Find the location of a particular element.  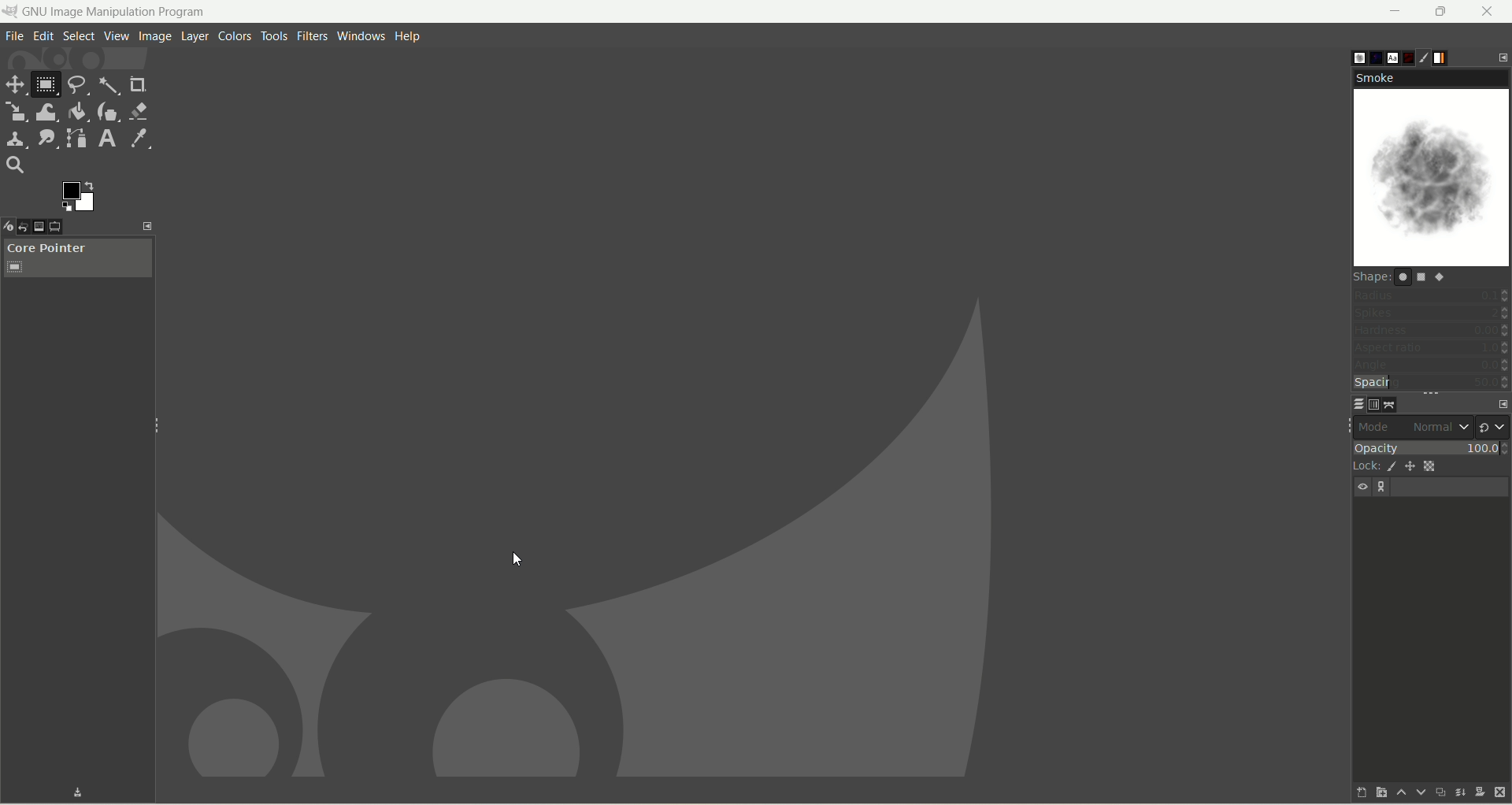

GNU image manipulation program is located at coordinates (117, 13).